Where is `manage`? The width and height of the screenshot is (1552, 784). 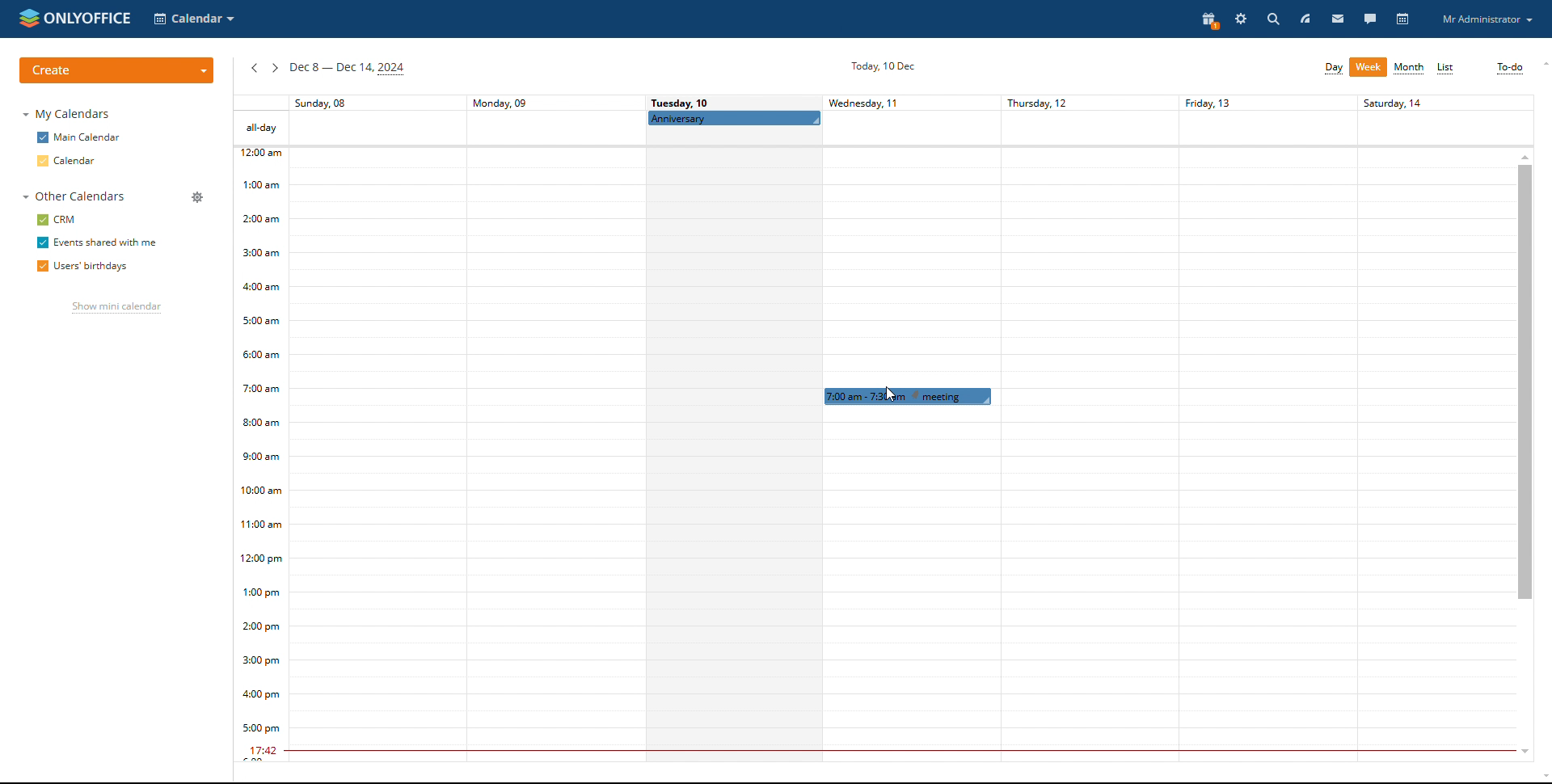
manage is located at coordinates (197, 196).